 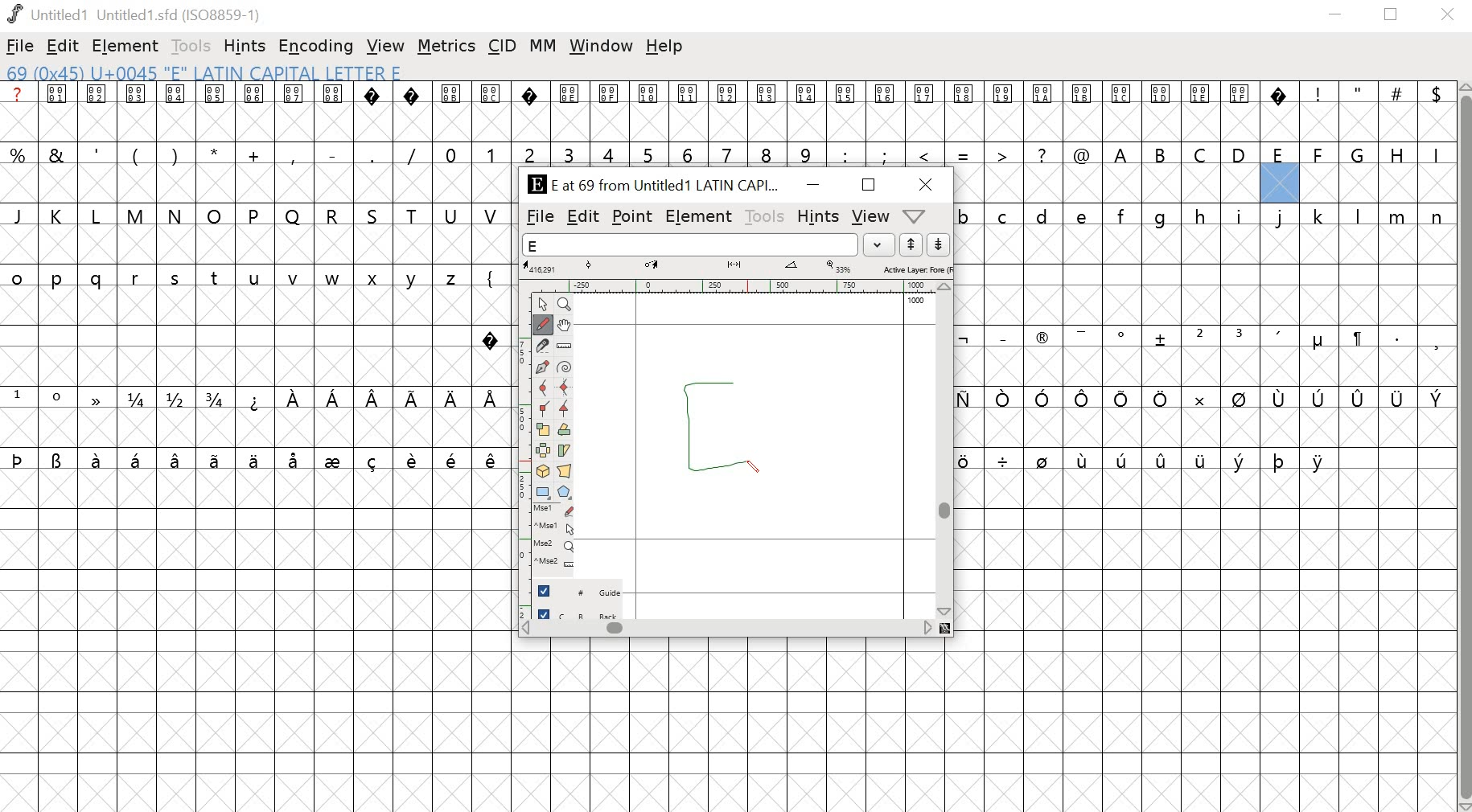 I want to click on empty cells, so click(x=734, y=725).